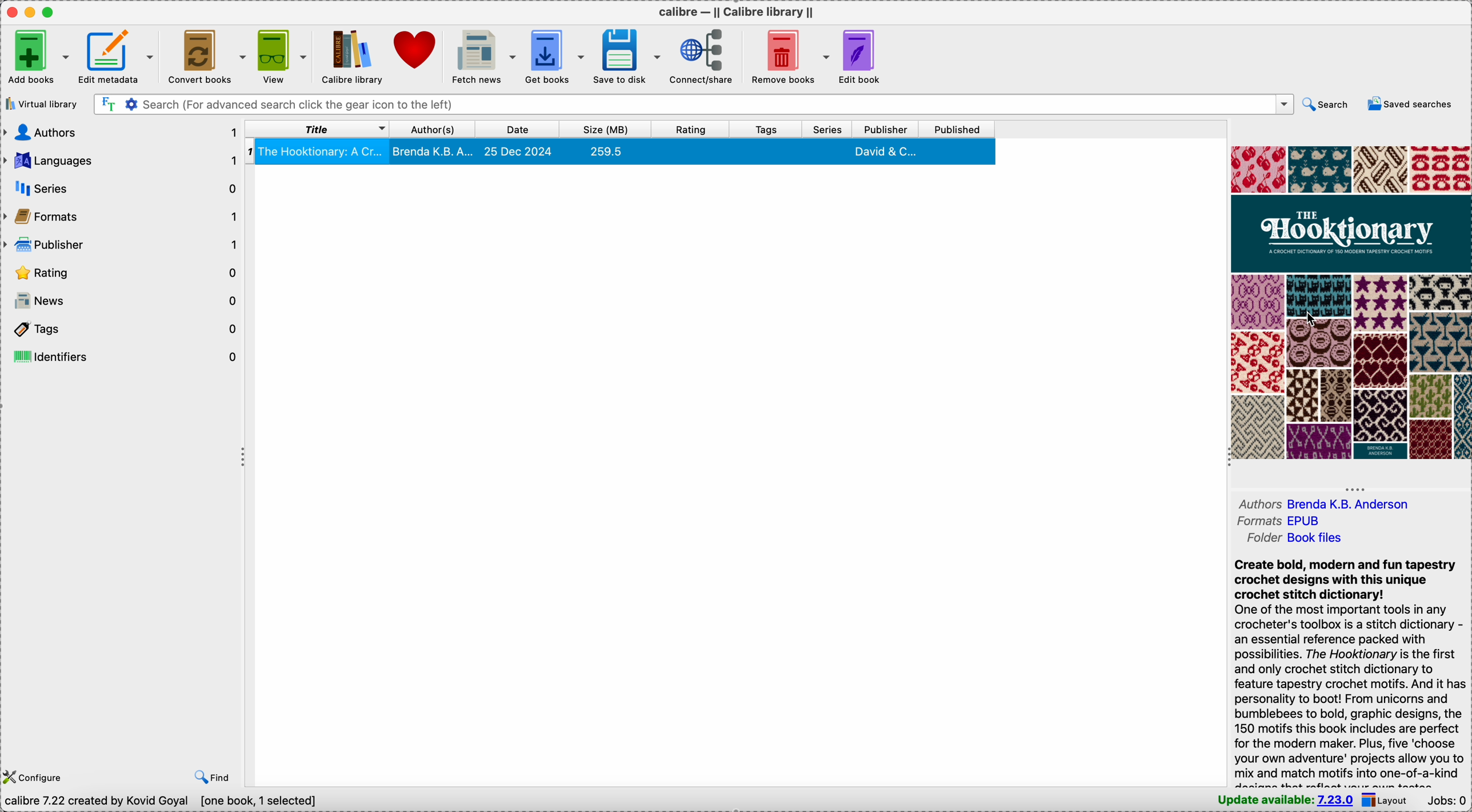 The height and width of the screenshot is (812, 1472). Describe the element at coordinates (1387, 800) in the screenshot. I see `layout` at that location.